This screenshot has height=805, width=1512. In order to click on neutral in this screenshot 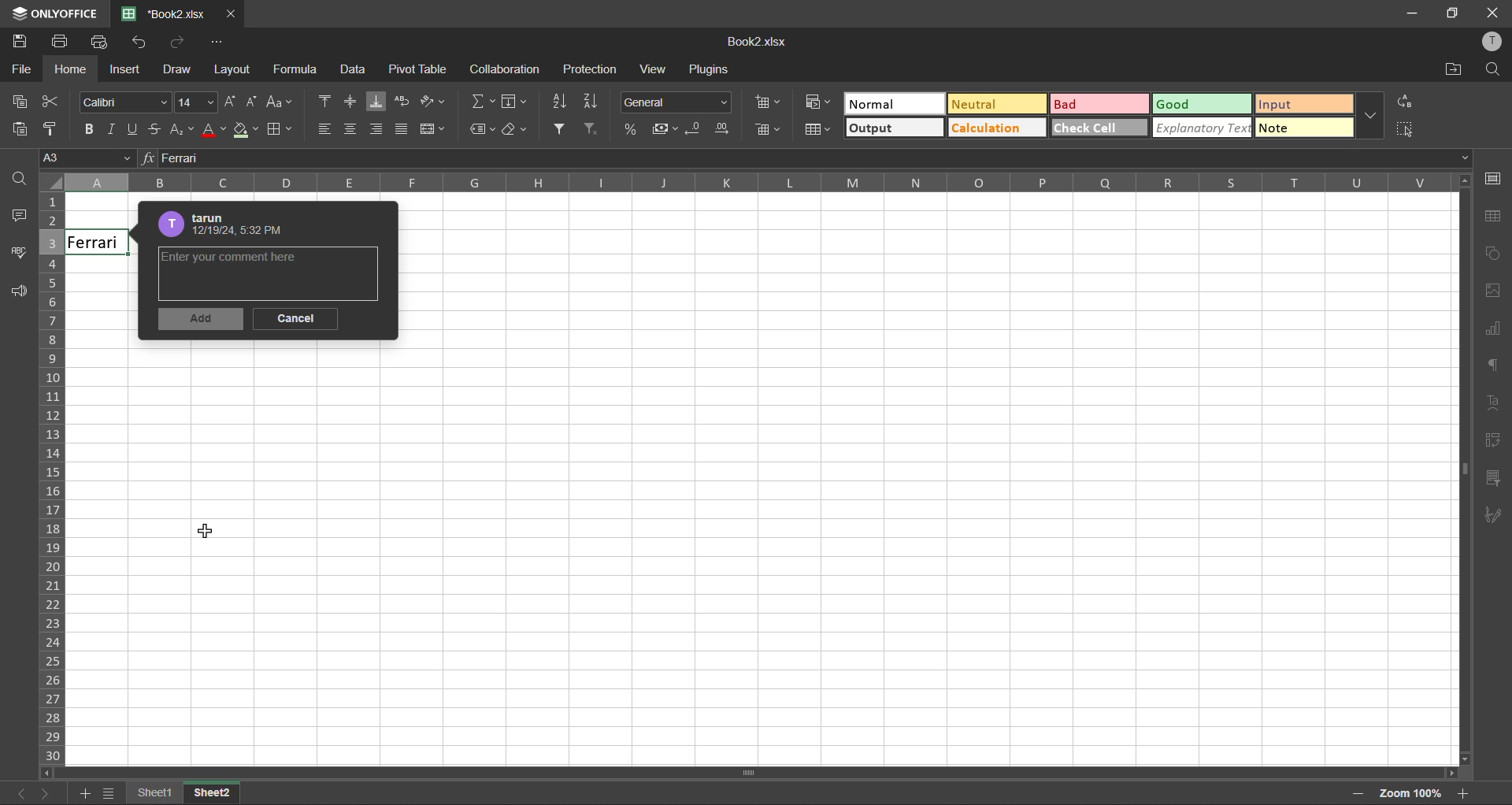, I will do `click(988, 103)`.